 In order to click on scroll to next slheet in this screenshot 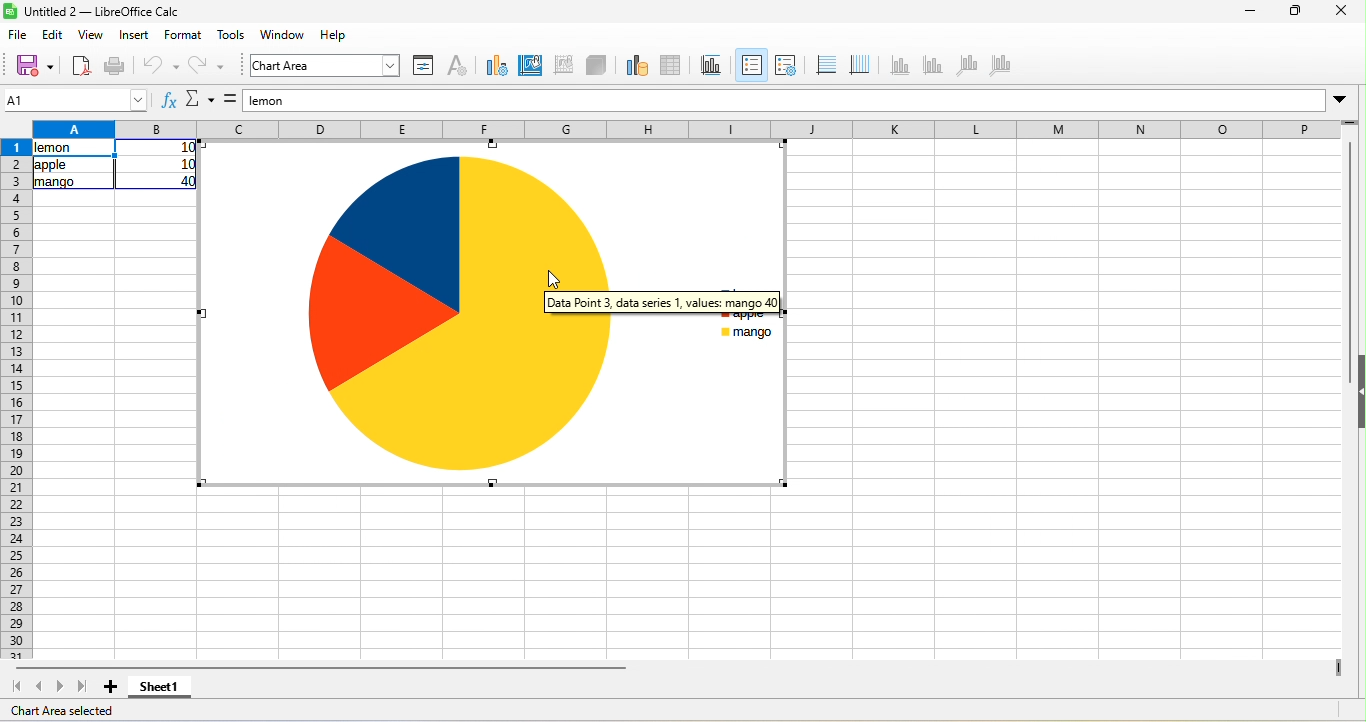, I will do `click(60, 689)`.